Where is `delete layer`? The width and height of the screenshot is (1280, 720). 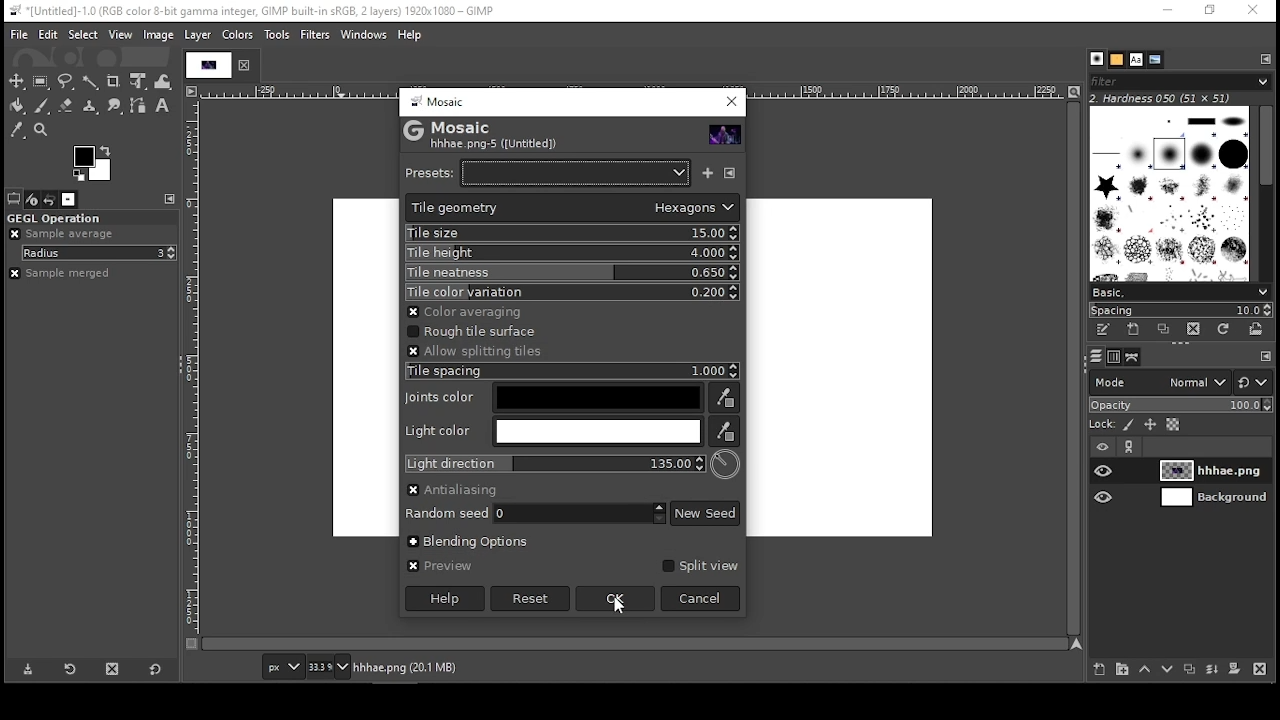 delete layer is located at coordinates (1263, 668).